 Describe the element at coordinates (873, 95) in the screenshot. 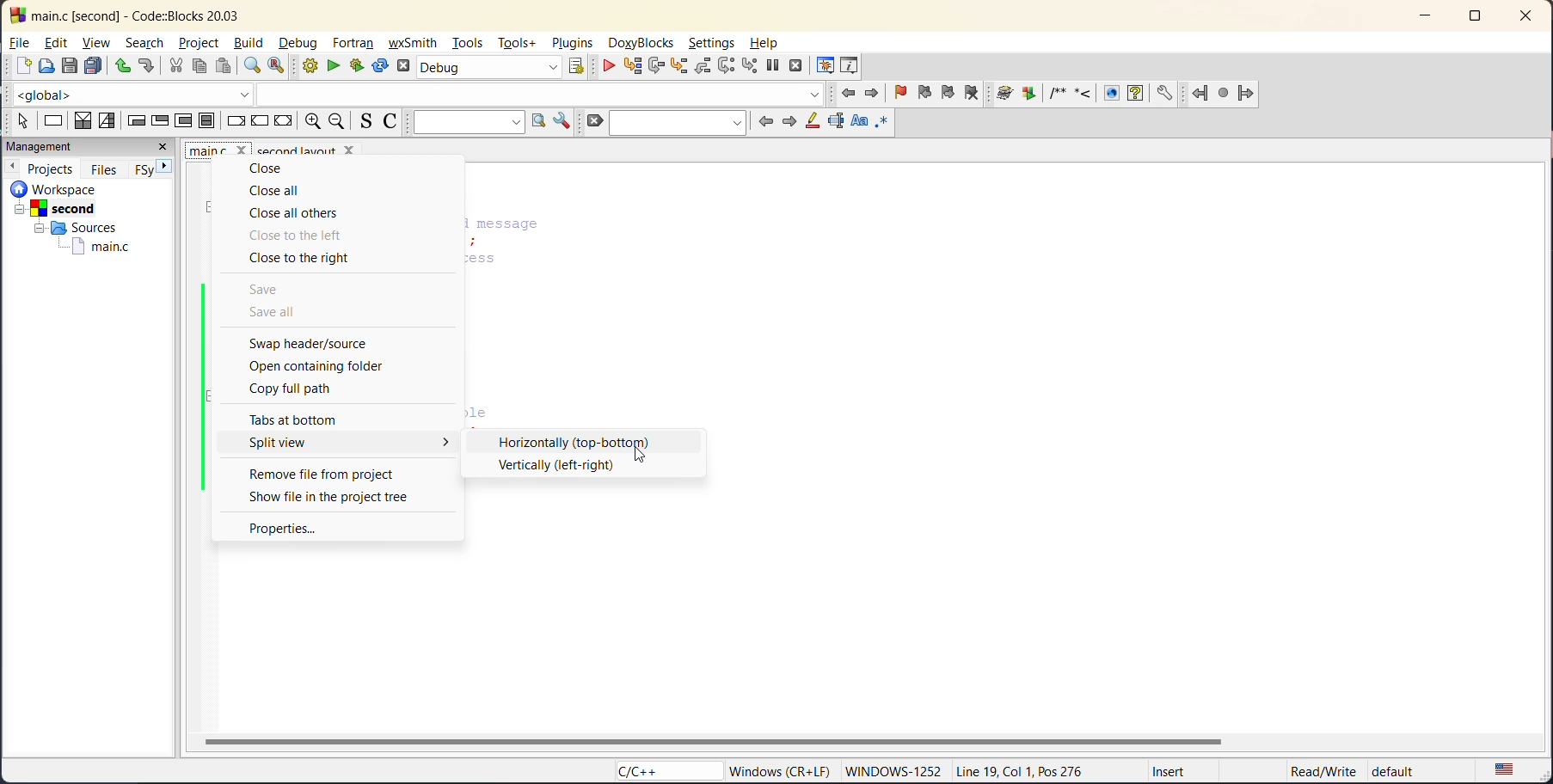

I see `jump forward` at that location.